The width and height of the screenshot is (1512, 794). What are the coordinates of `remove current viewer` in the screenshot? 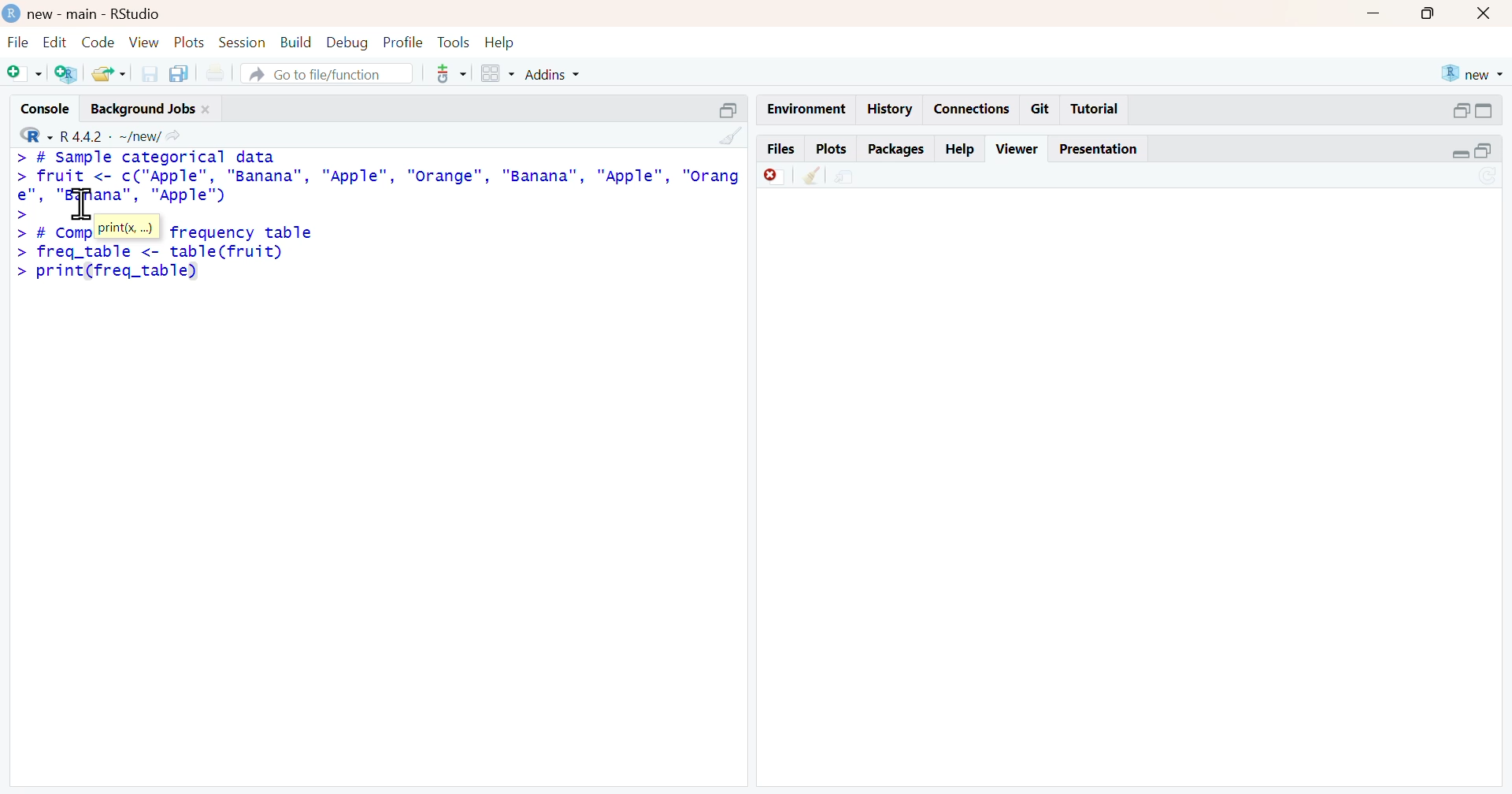 It's located at (771, 177).